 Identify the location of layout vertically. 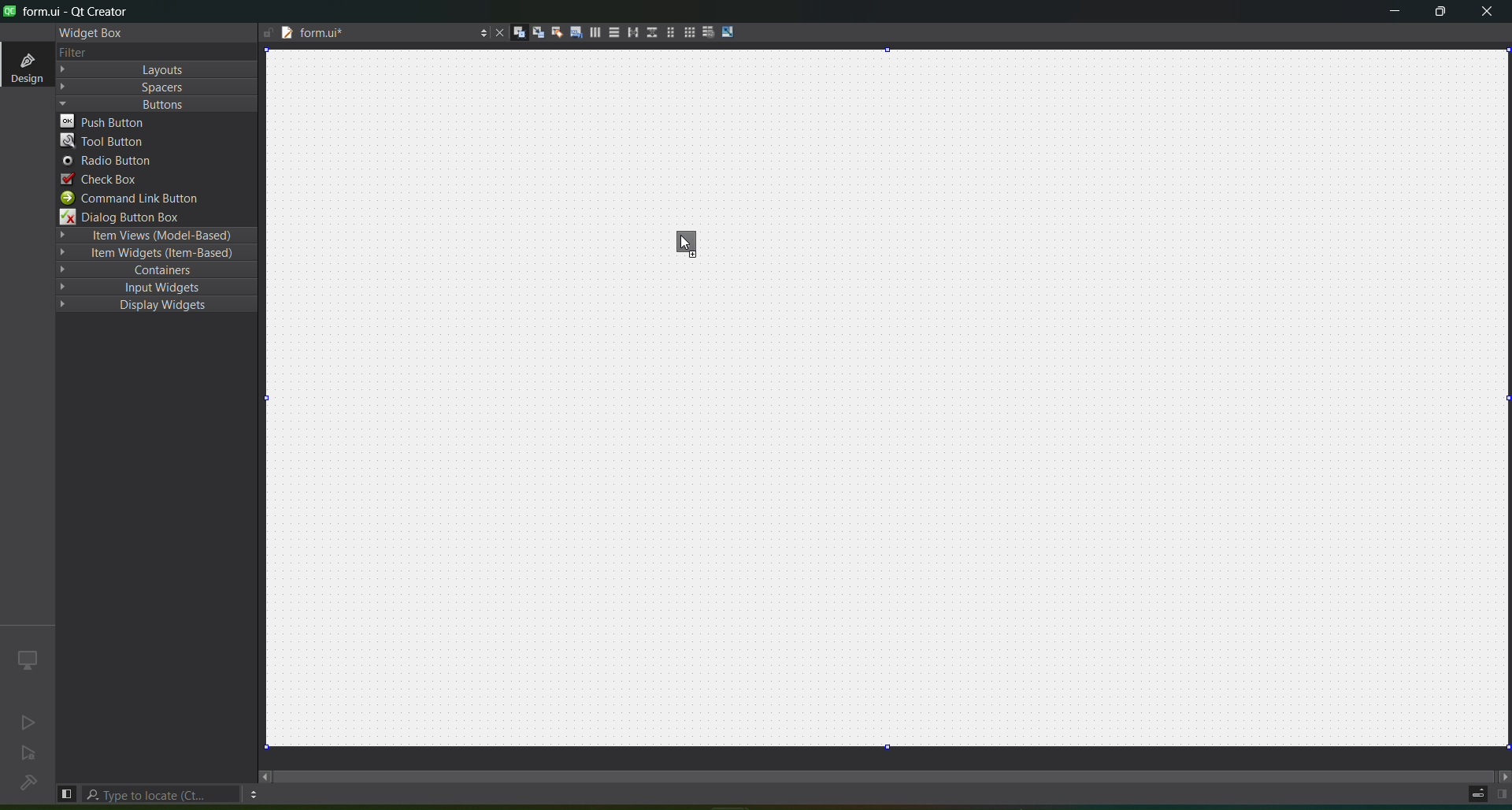
(612, 34).